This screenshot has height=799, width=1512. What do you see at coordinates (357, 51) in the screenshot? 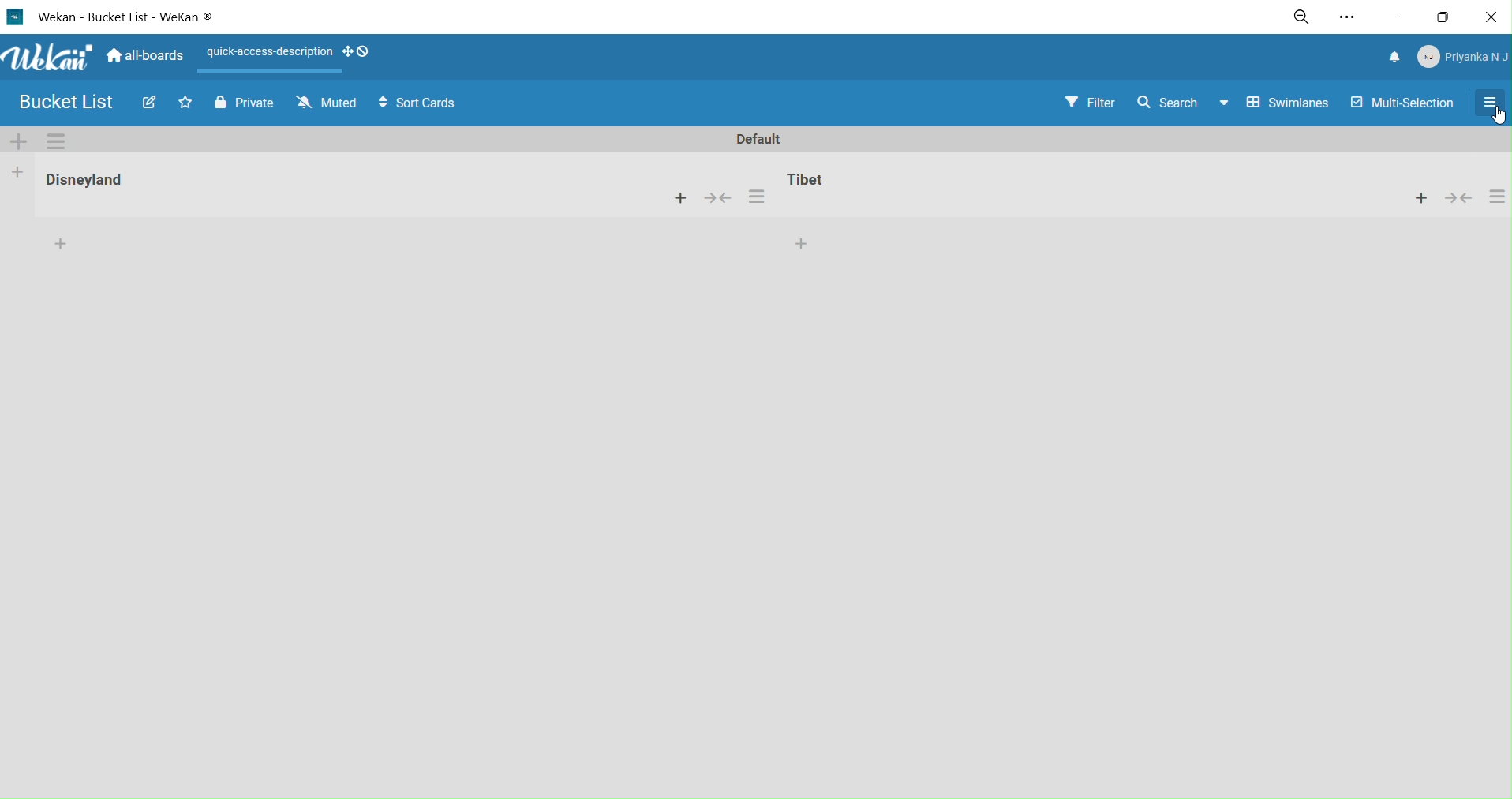
I see `show desktop draghandles` at bounding box center [357, 51].